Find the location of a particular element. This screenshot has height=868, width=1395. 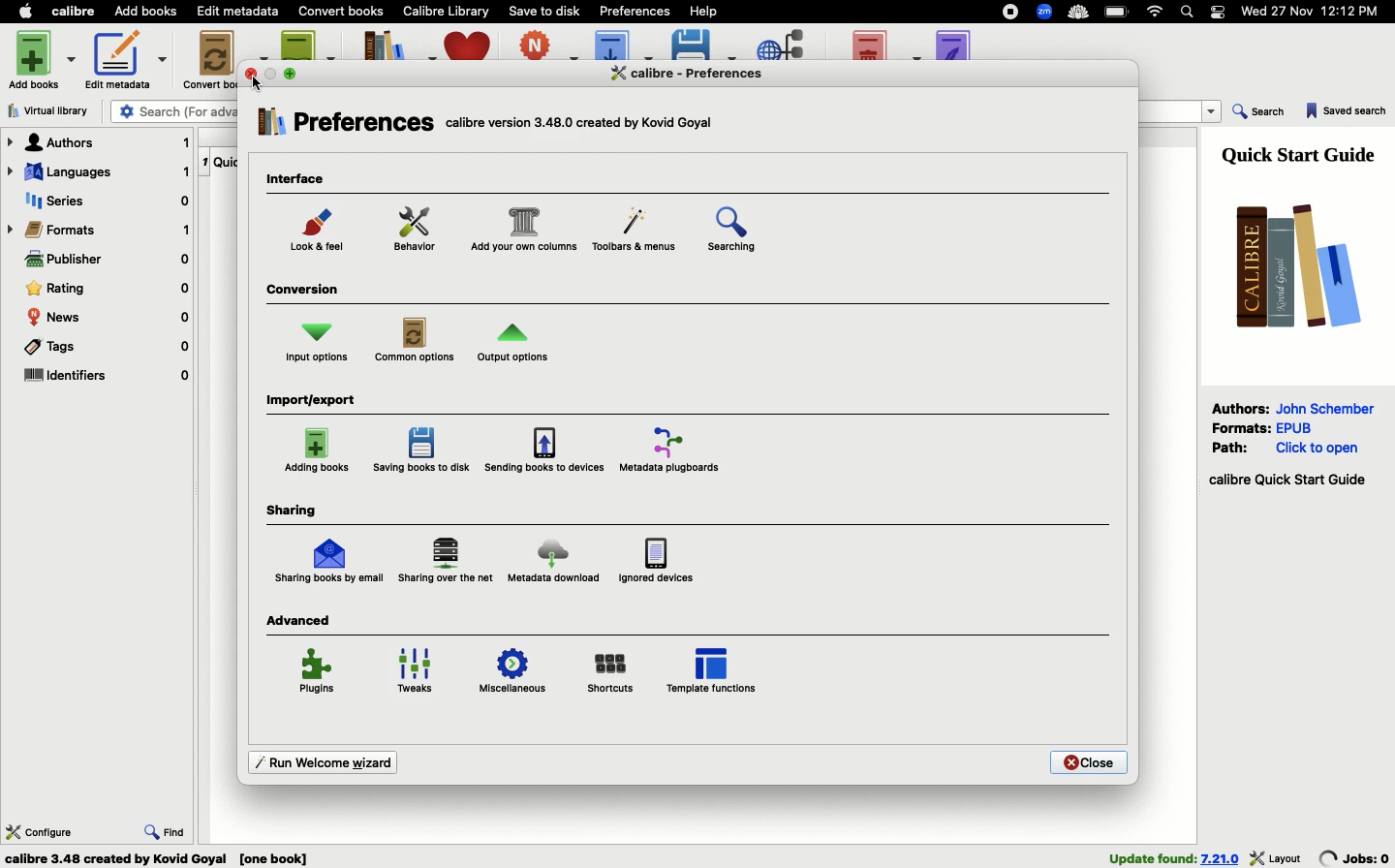

Extensions is located at coordinates (1046, 14).